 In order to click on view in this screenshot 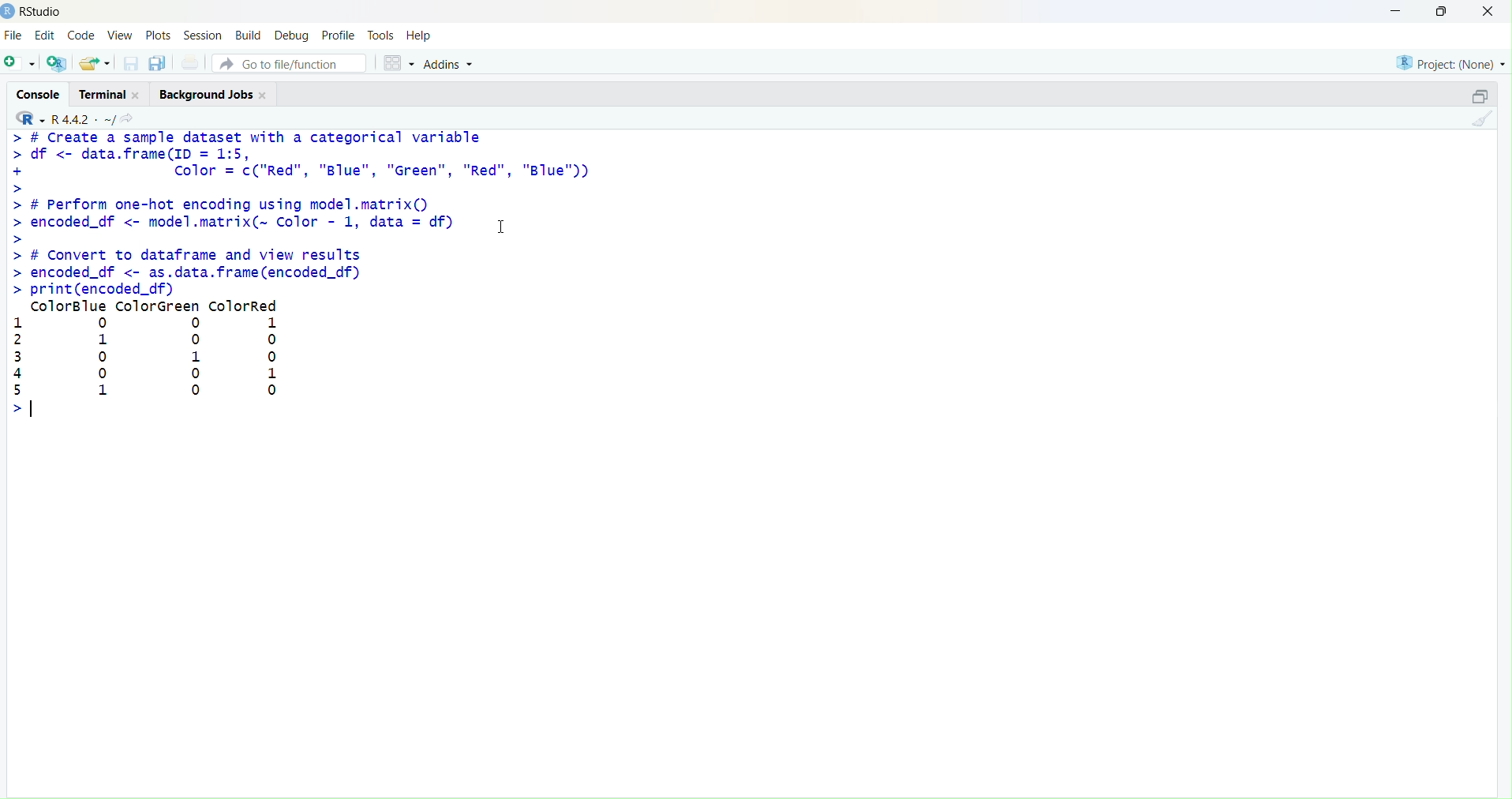, I will do `click(122, 35)`.